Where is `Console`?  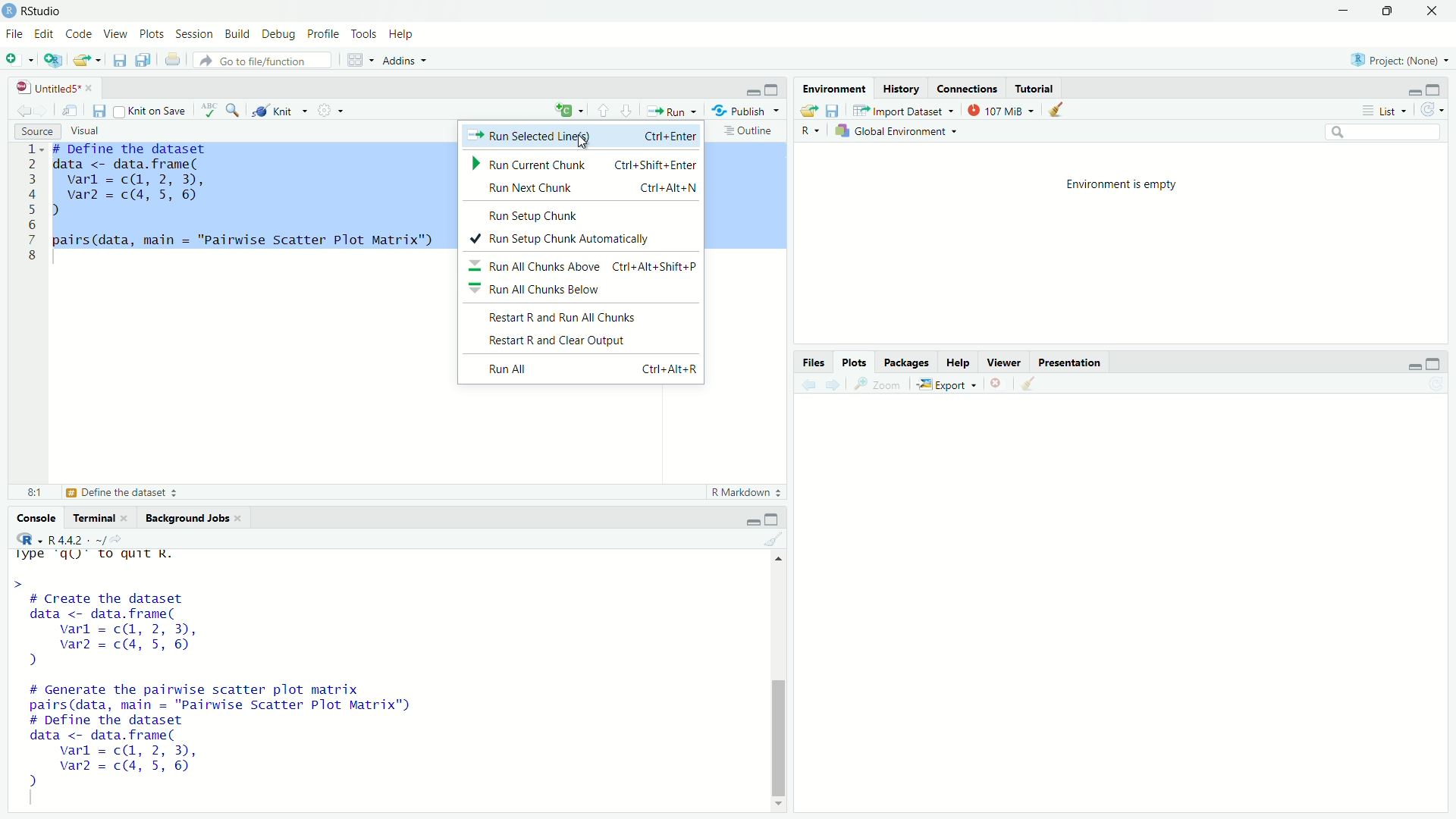
Console is located at coordinates (36, 519).